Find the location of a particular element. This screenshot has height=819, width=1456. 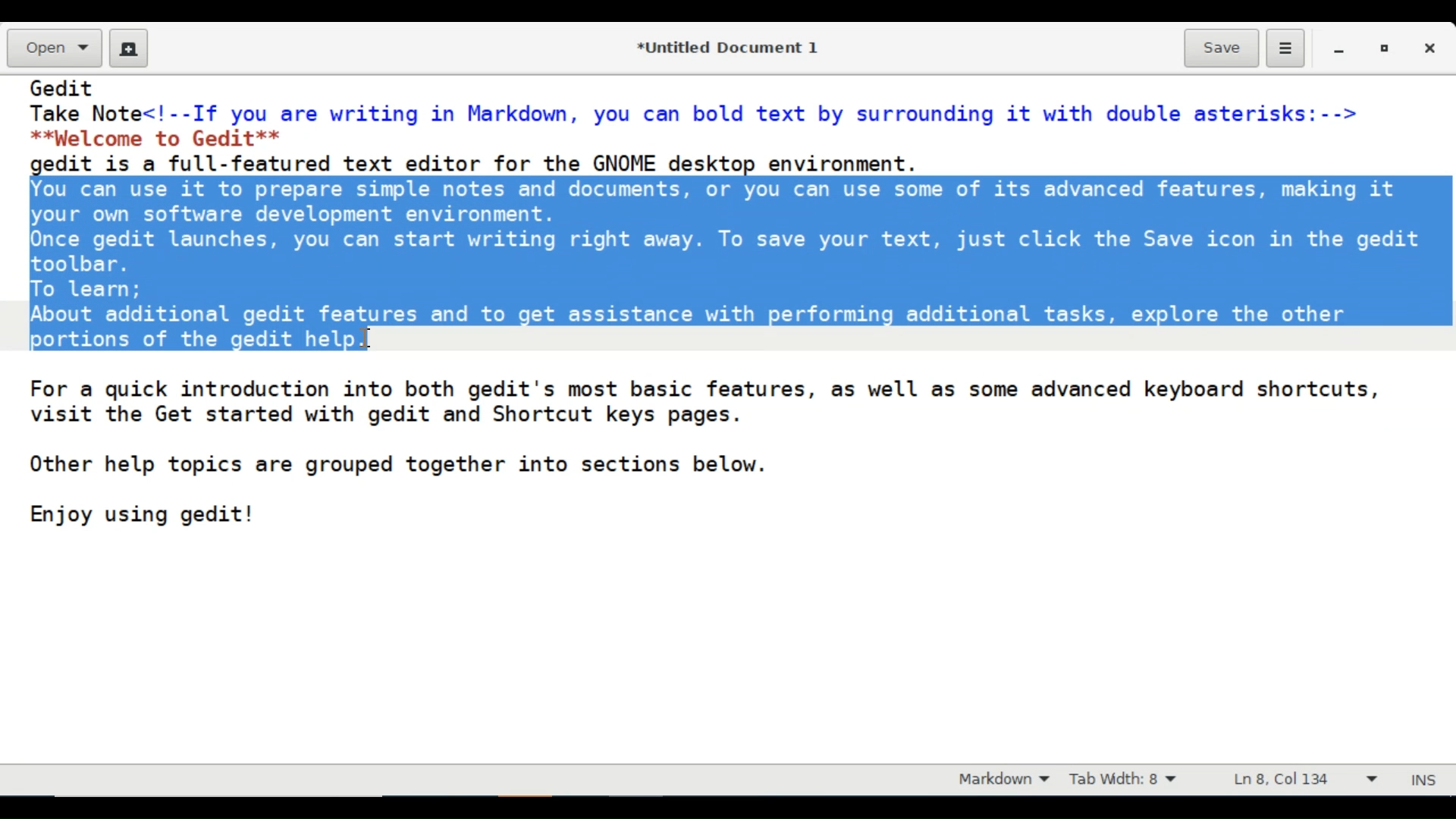

restore is located at coordinates (1382, 48).